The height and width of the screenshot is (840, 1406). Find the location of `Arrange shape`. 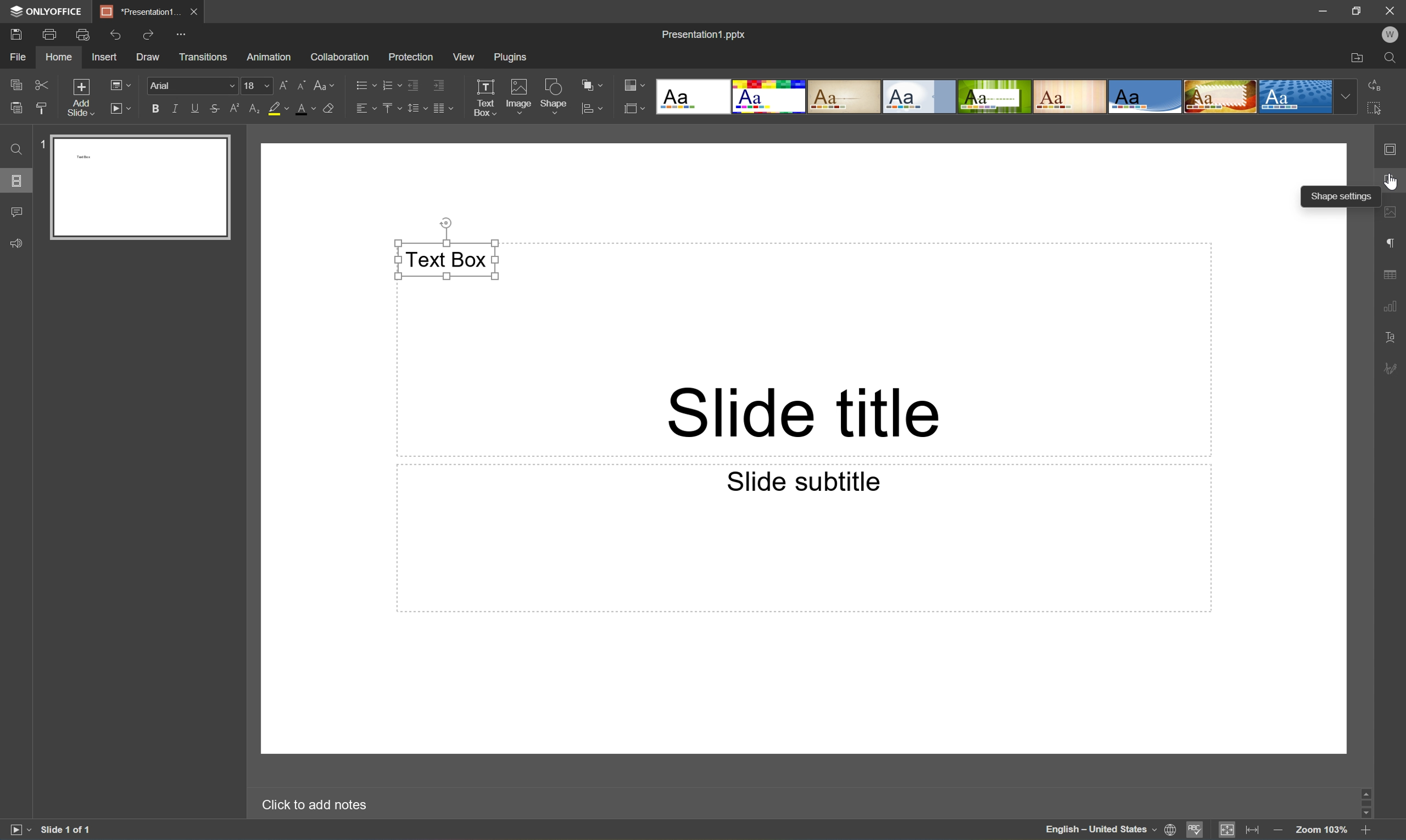

Arrange shape is located at coordinates (593, 83).